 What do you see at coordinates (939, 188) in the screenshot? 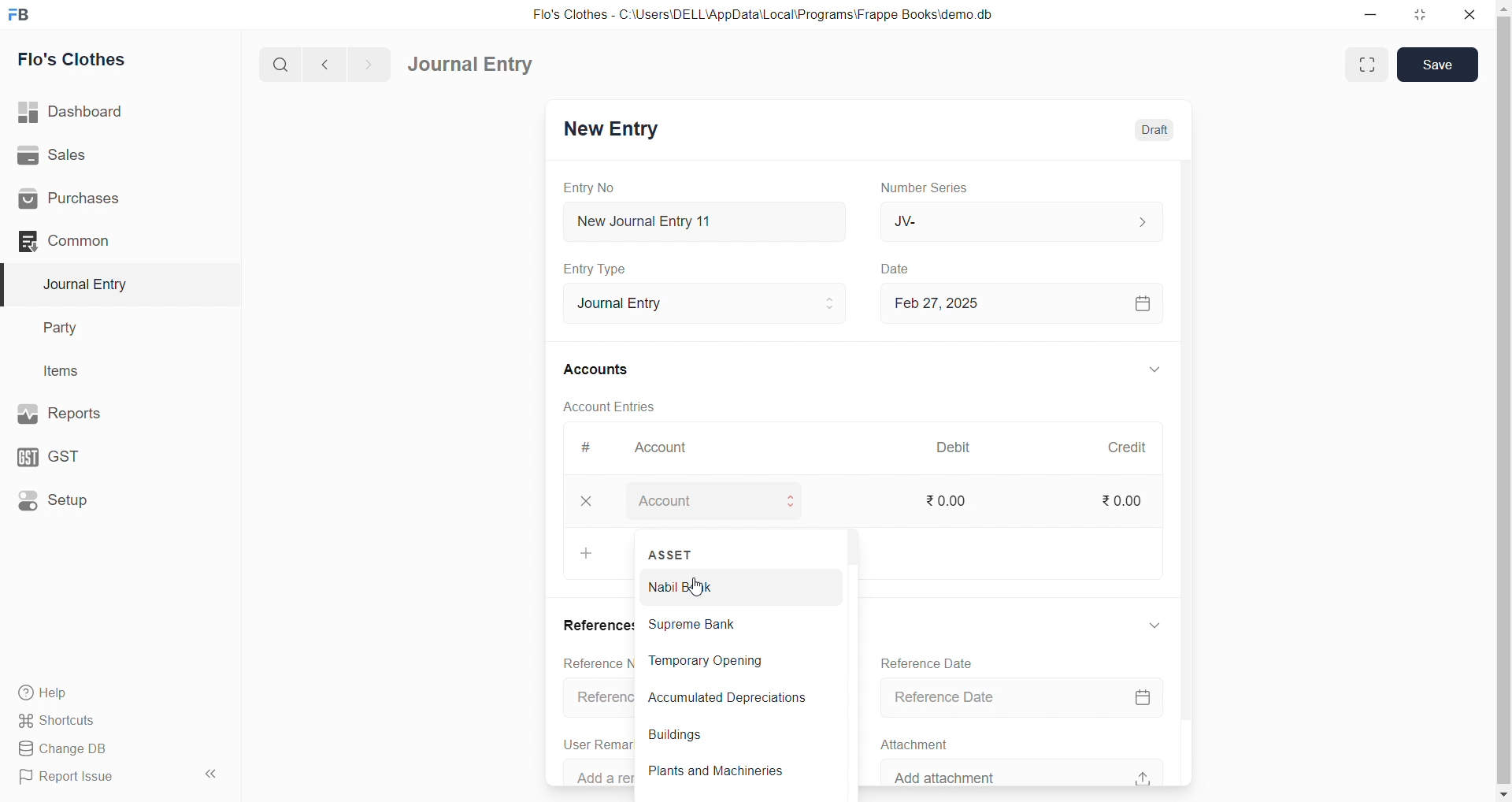
I see `Number Series` at bounding box center [939, 188].